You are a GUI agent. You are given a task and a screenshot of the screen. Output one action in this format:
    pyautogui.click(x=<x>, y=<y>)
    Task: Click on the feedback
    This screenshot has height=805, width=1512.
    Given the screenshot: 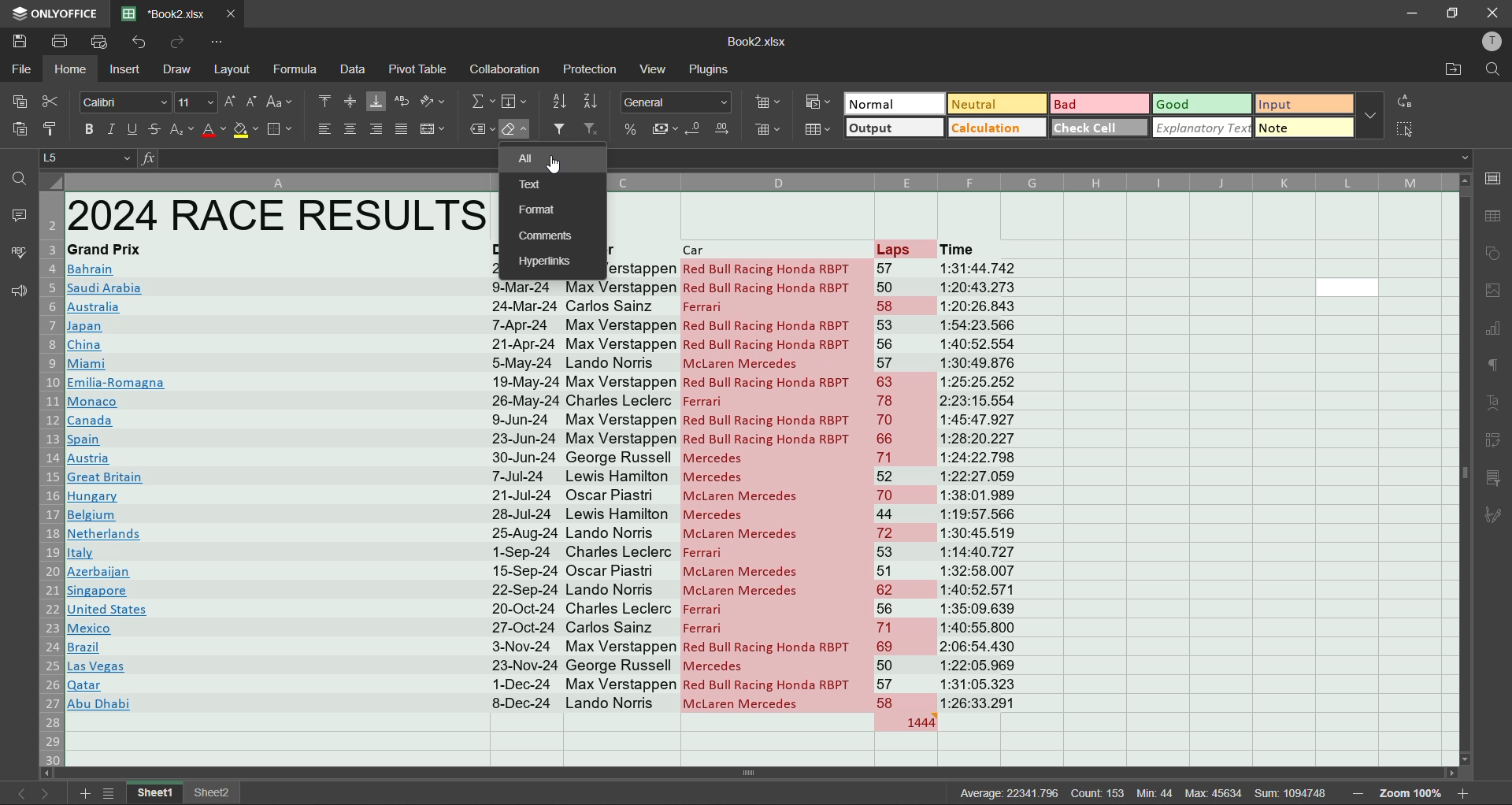 What is the action you would take?
    pyautogui.click(x=17, y=291)
    